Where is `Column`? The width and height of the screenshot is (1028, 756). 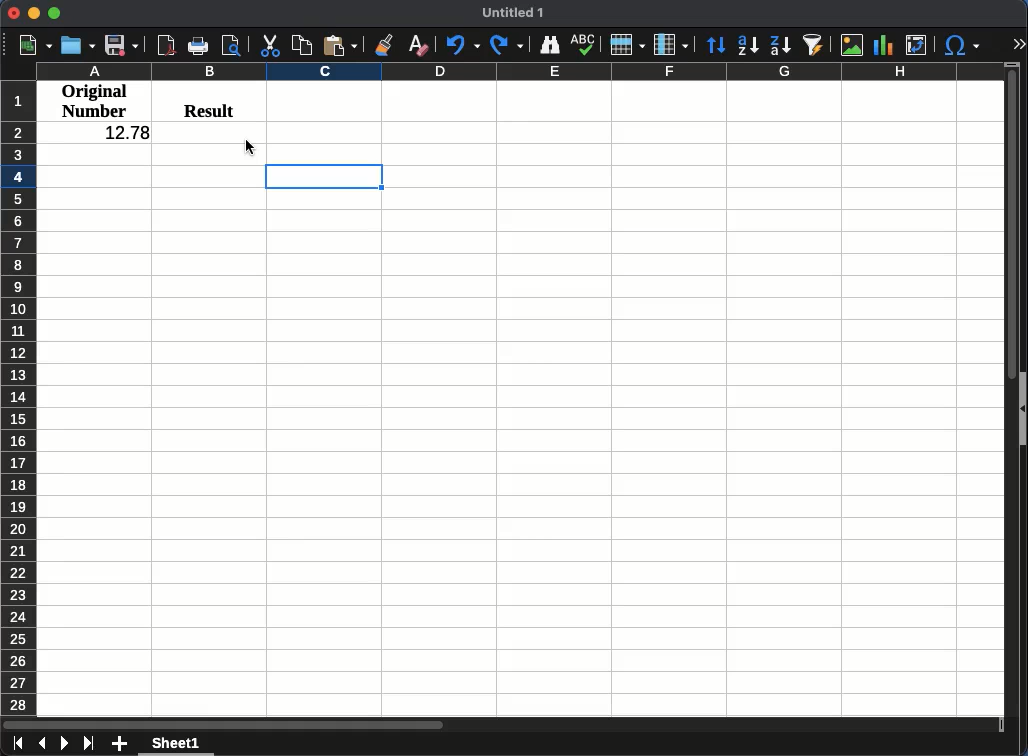 Column is located at coordinates (515, 73).